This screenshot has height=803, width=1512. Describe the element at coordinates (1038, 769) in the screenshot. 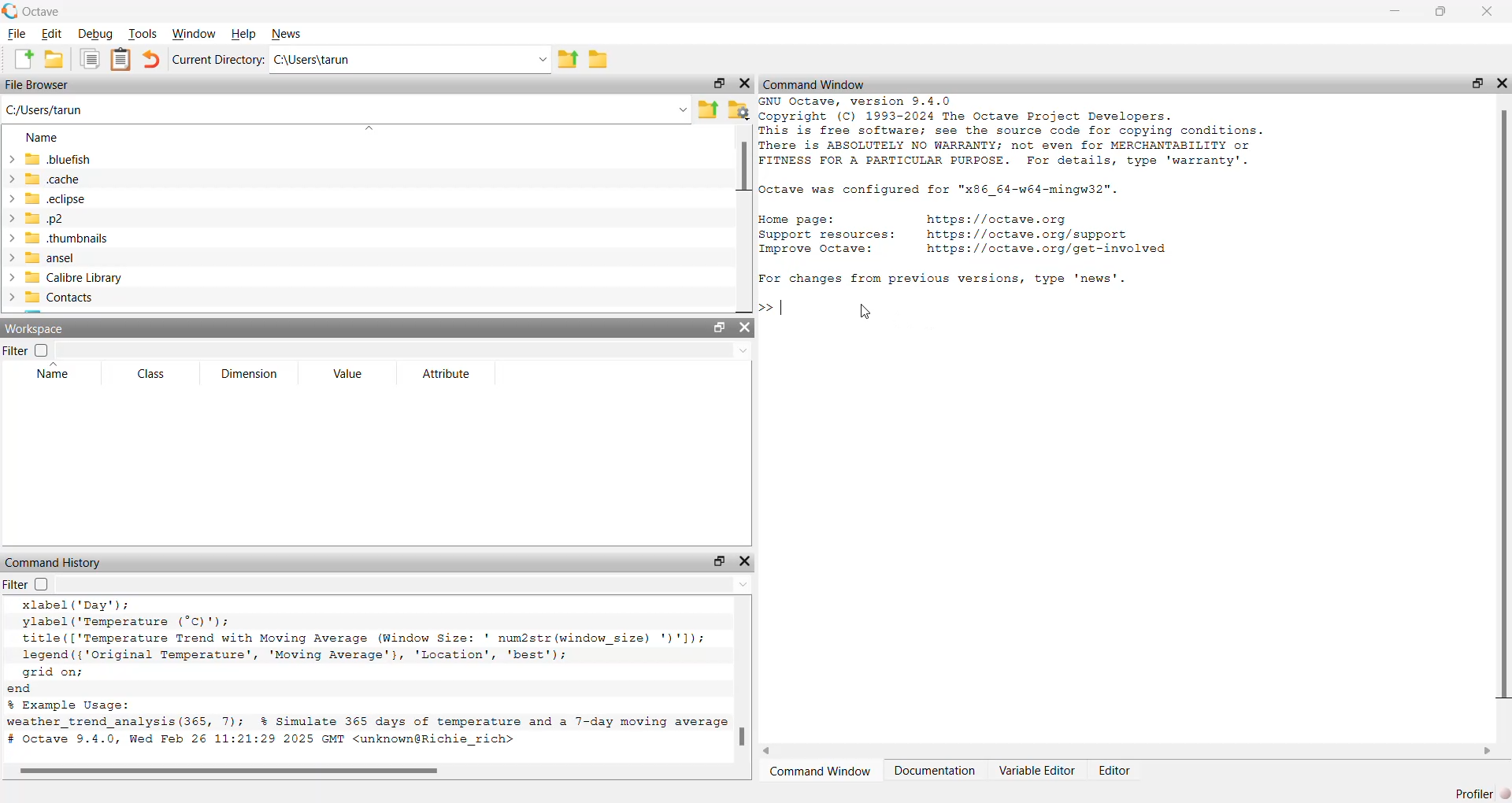

I see `Variable Editor` at that location.